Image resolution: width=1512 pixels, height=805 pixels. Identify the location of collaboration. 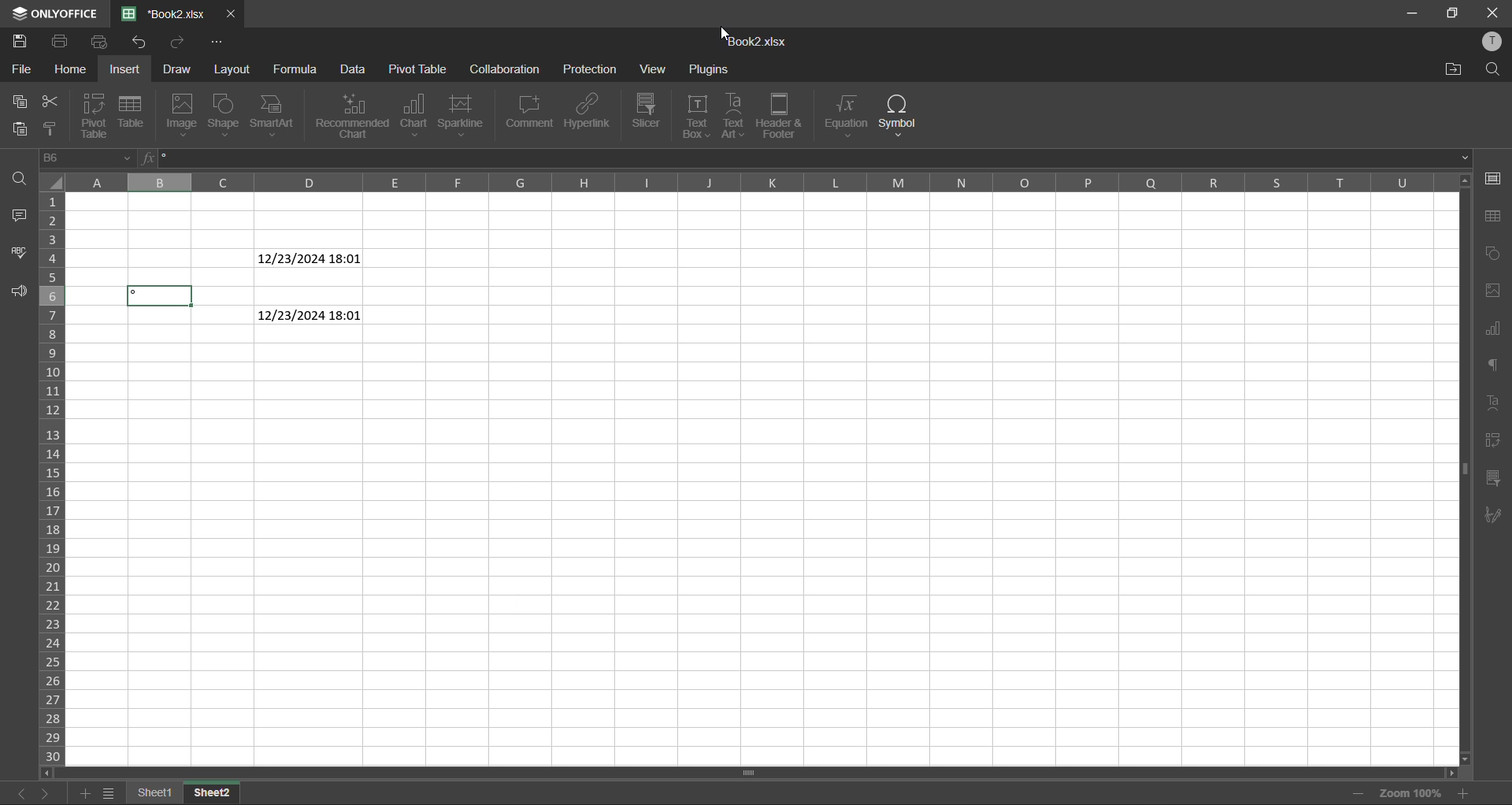
(506, 69).